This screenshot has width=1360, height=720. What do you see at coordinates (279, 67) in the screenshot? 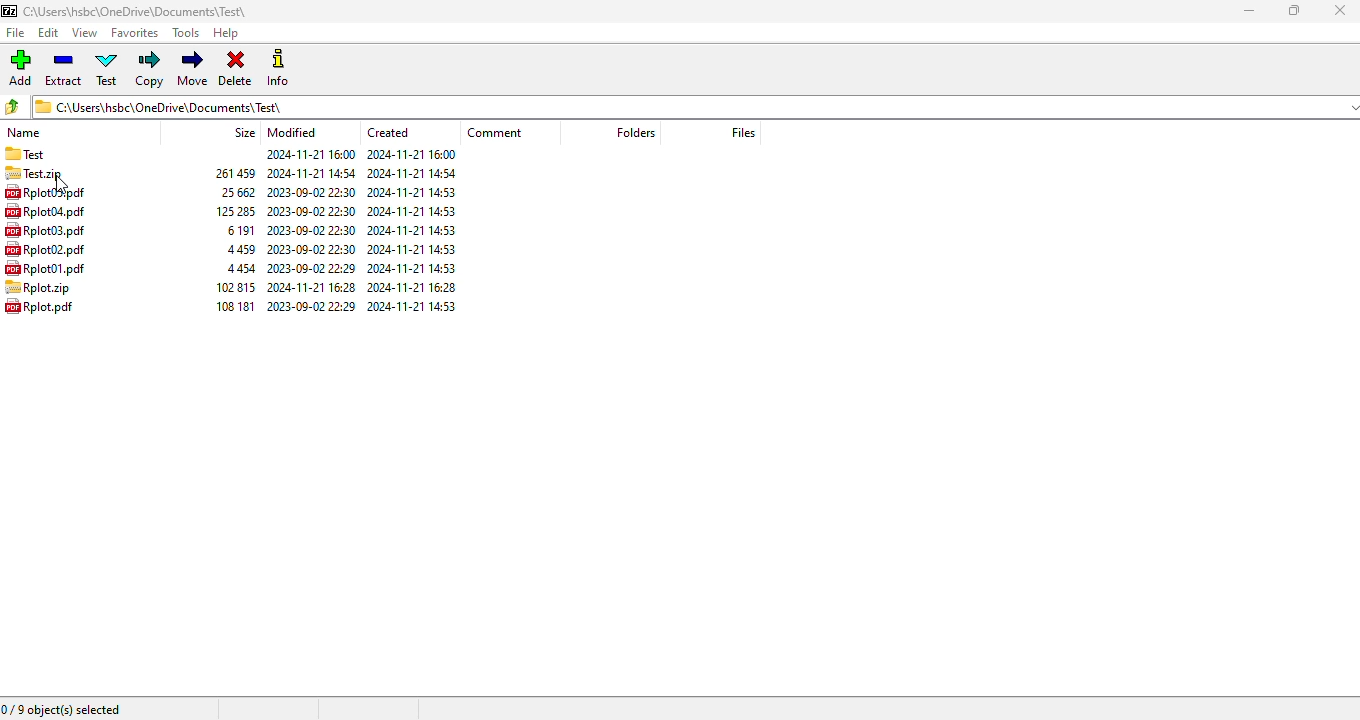
I see `info` at bounding box center [279, 67].